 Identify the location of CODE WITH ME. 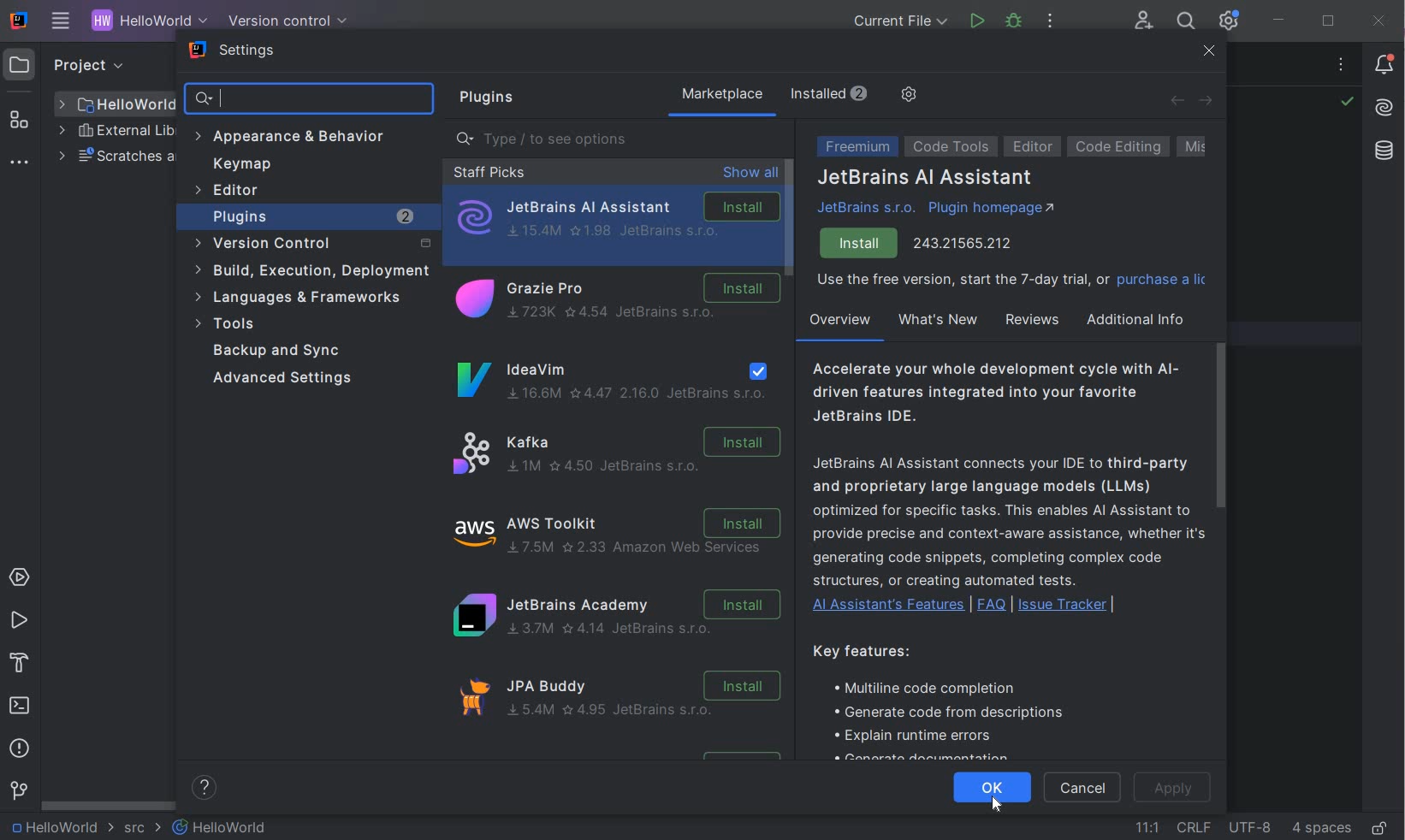
(1145, 21).